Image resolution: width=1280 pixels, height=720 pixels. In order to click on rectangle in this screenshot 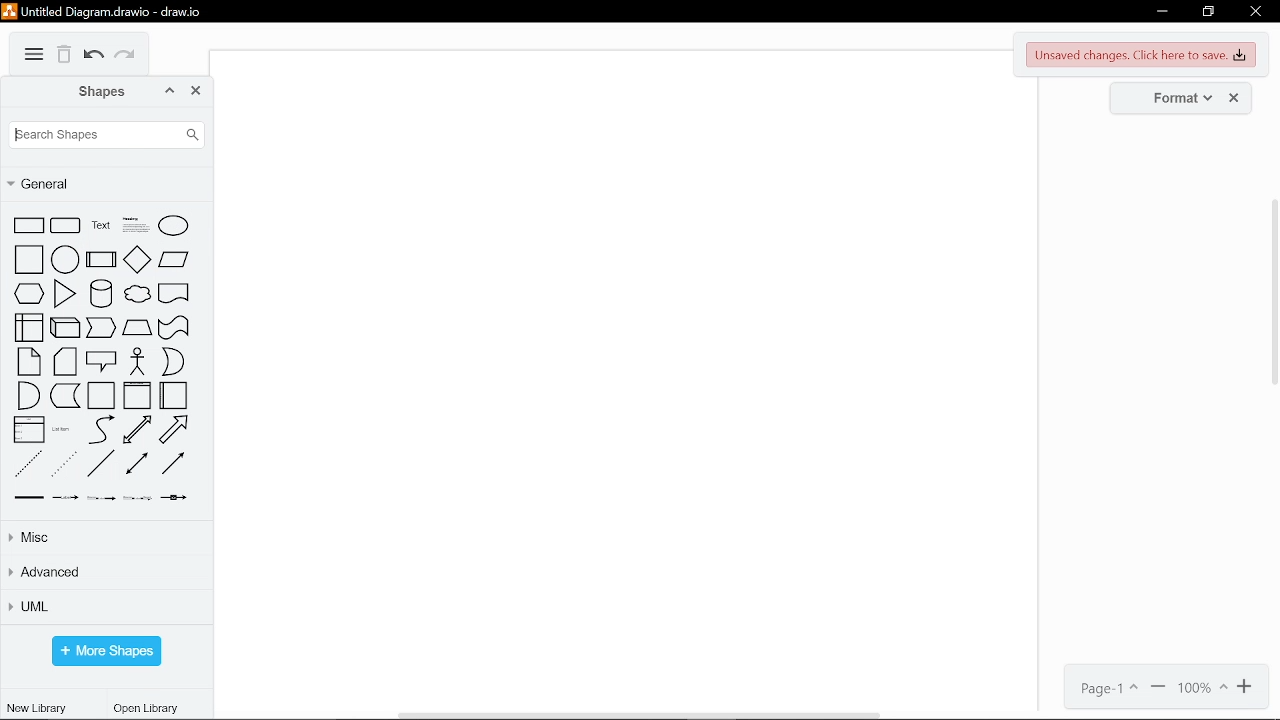, I will do `click(28, 226)`.